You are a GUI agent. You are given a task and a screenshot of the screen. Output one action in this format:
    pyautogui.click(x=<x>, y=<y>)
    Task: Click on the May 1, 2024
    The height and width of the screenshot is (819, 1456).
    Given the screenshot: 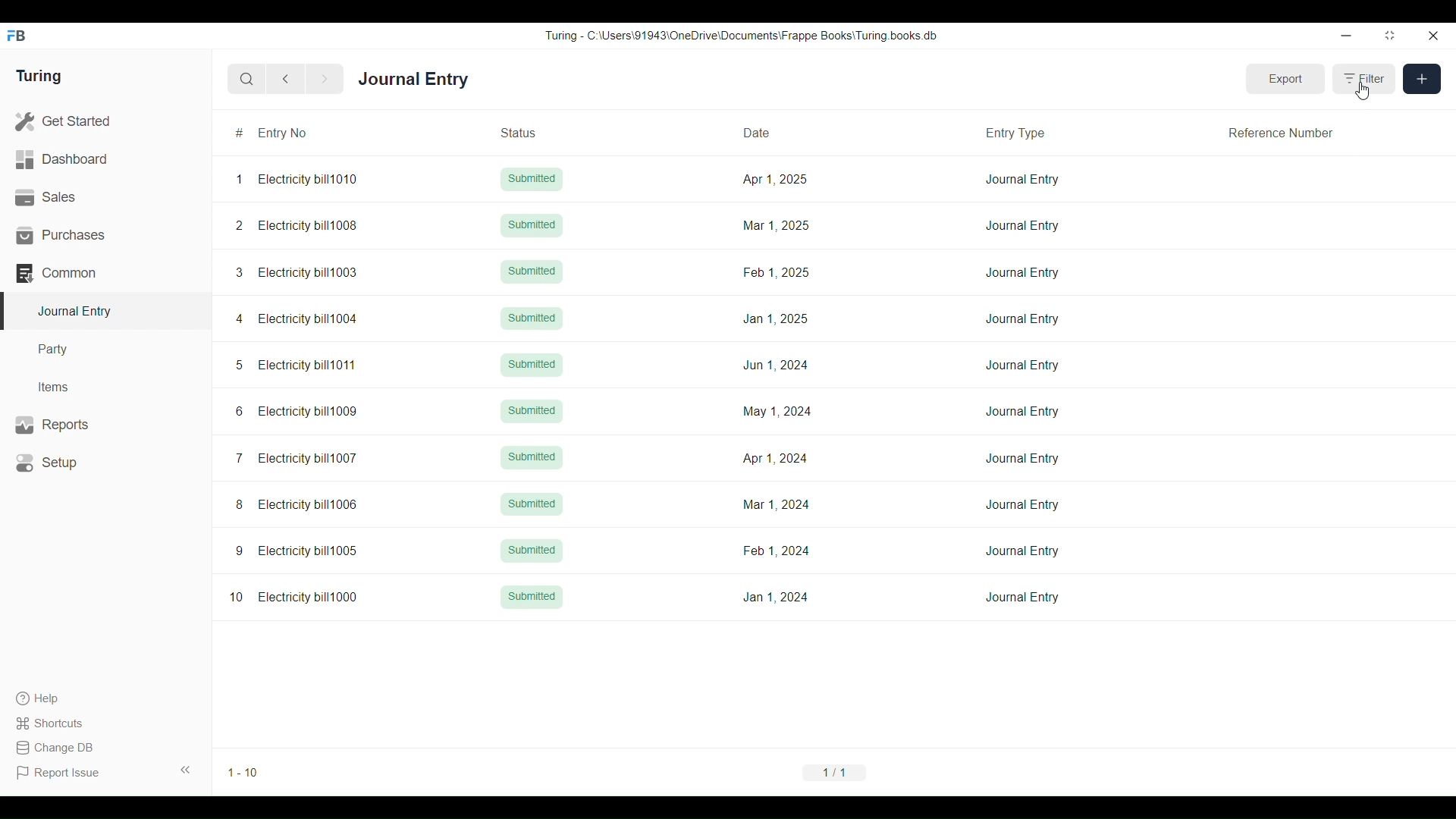 What is the action you would take?
    pyautogui.click(x=777, y=410)
    